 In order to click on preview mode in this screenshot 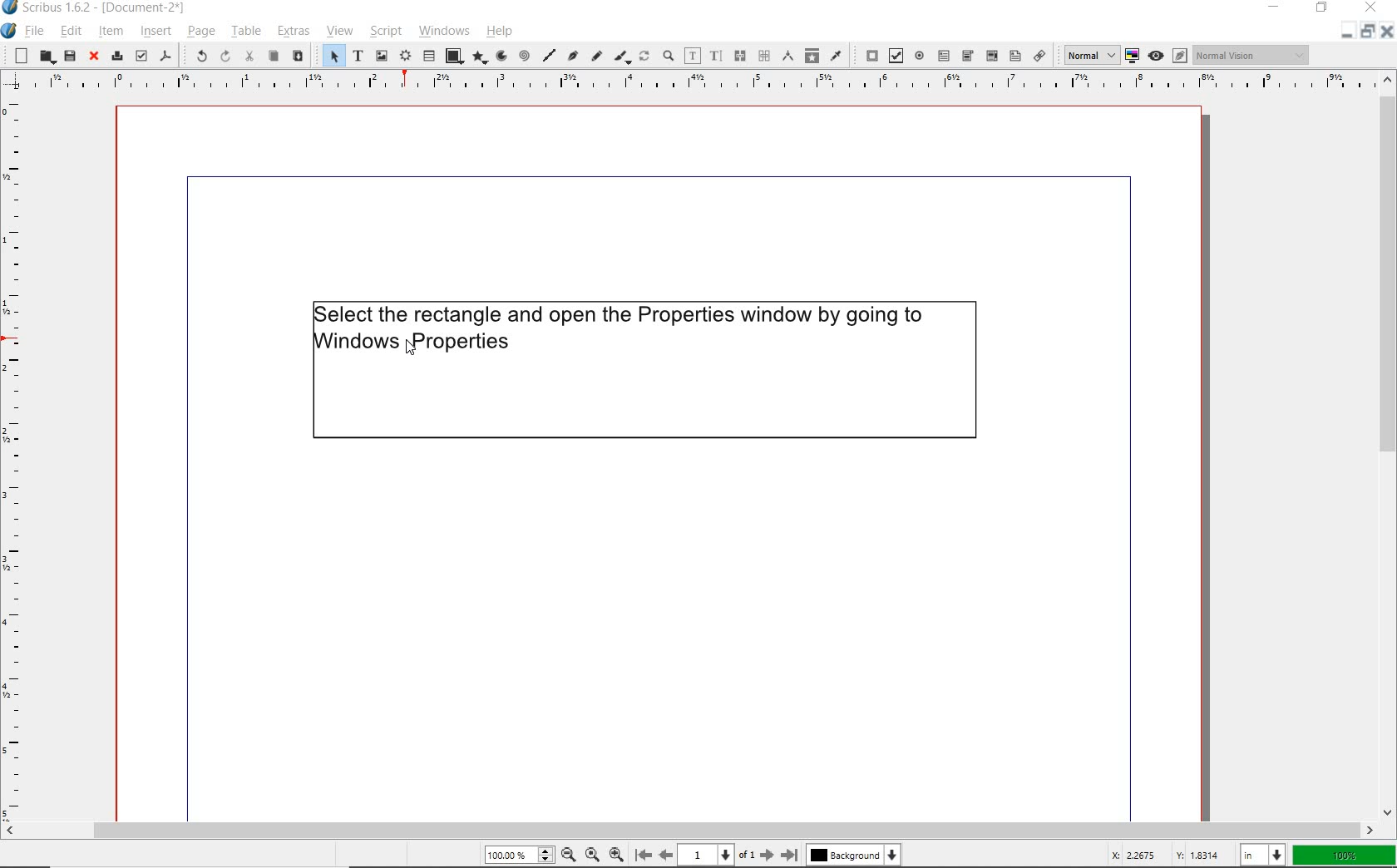, I will do `click(1167, 56)`.